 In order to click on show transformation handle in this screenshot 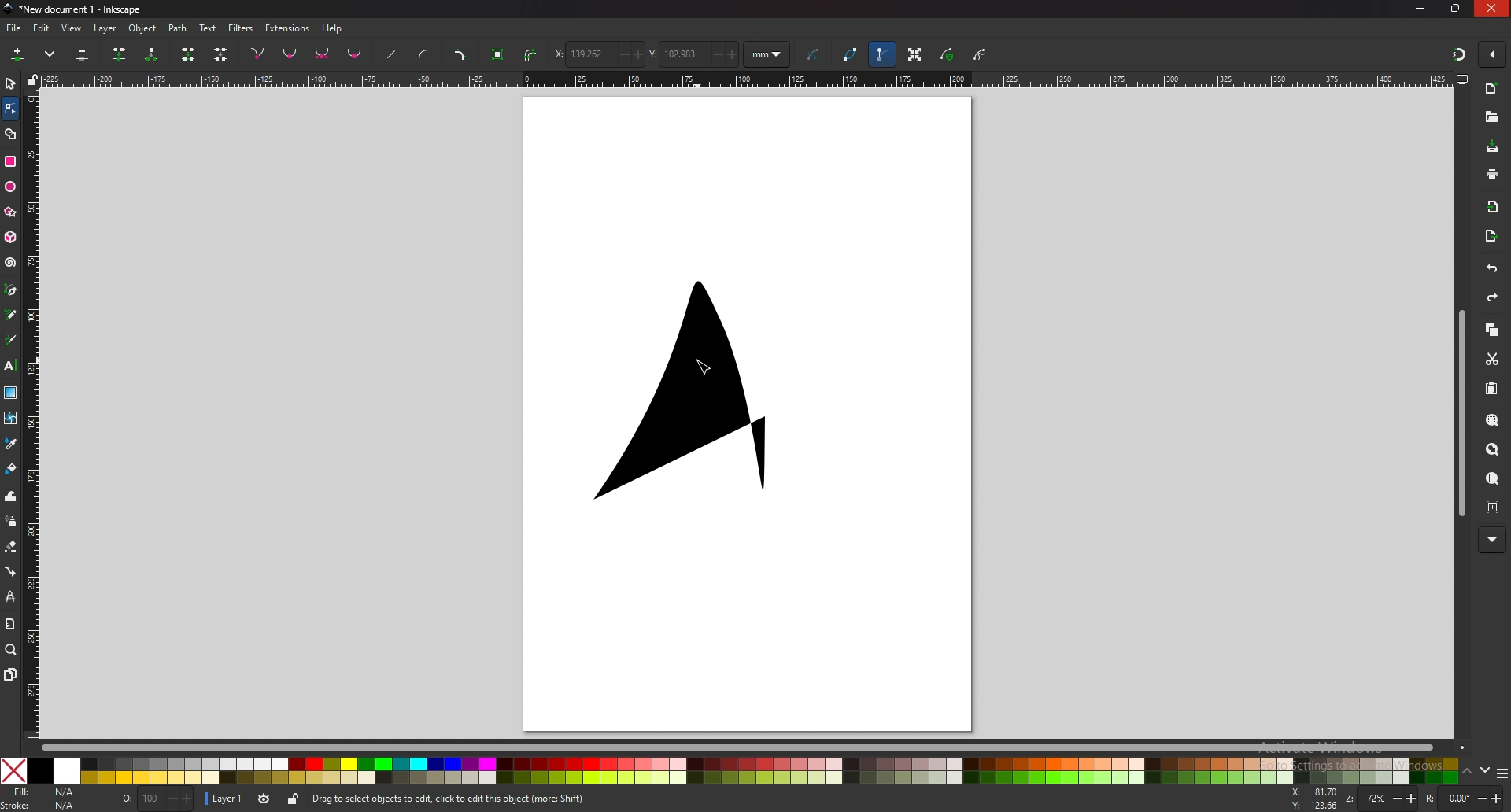, I will do `click(916, 55)`.